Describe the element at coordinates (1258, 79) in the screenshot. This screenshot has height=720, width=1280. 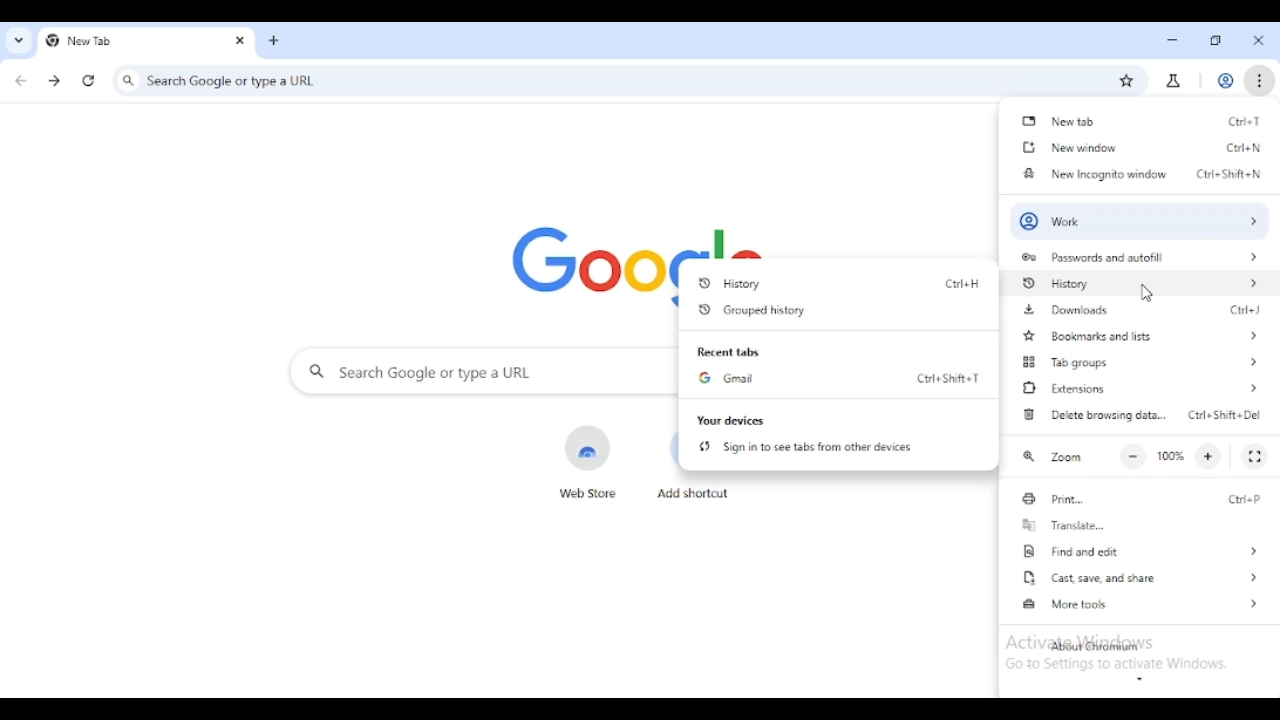
I see `customize and control chromium` at that location.